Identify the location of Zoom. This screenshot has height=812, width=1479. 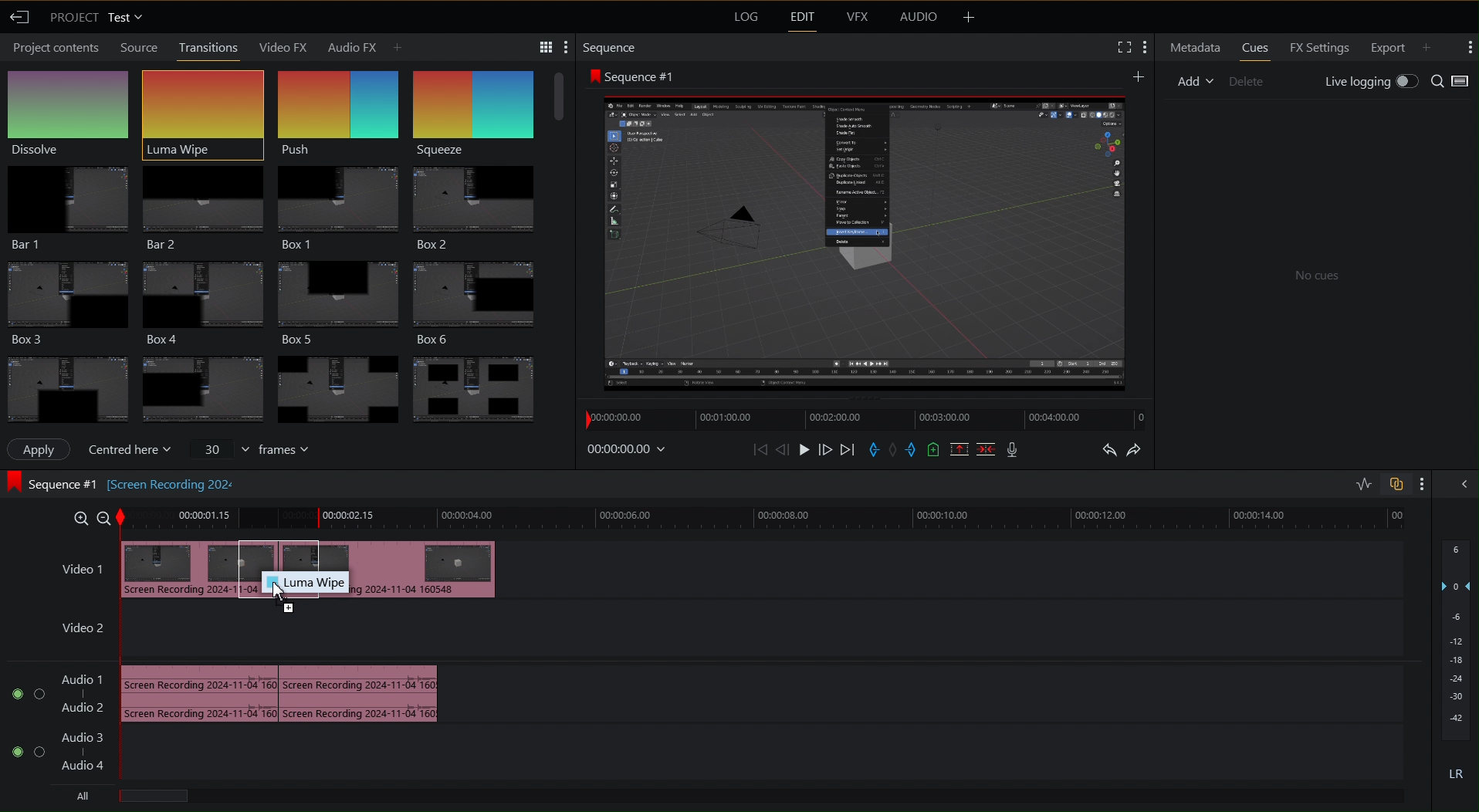
(88, 517).